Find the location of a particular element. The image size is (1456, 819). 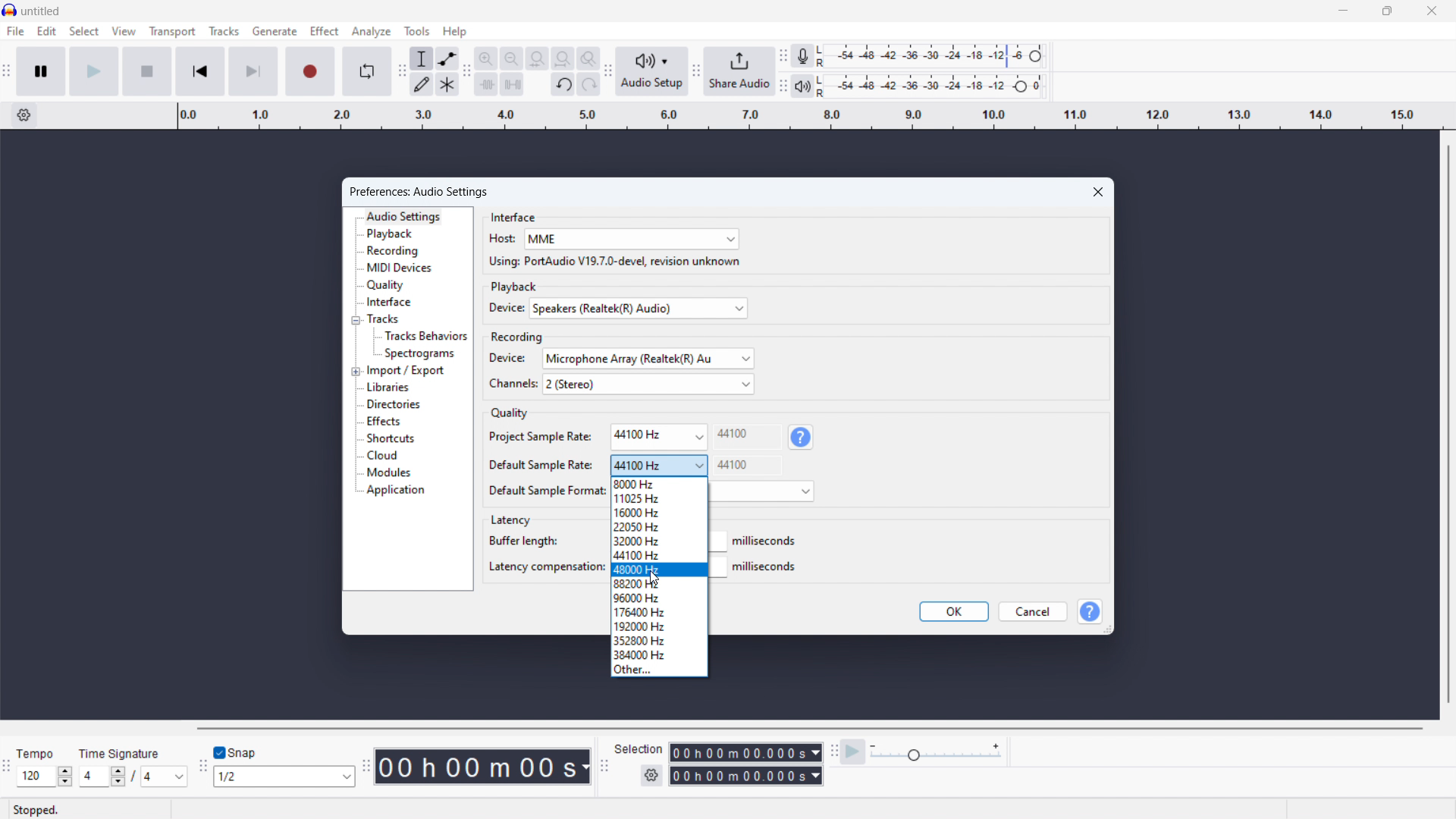

play is located at coordinates (94, 71).